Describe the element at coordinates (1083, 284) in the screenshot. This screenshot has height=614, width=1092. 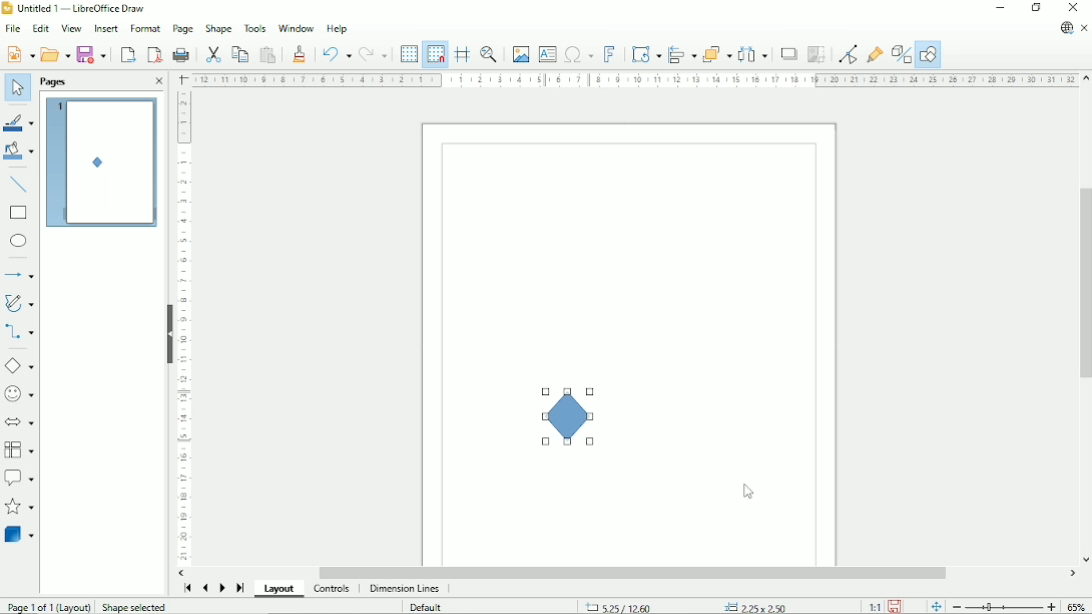
I see `Vertical scrollbar` at that location.